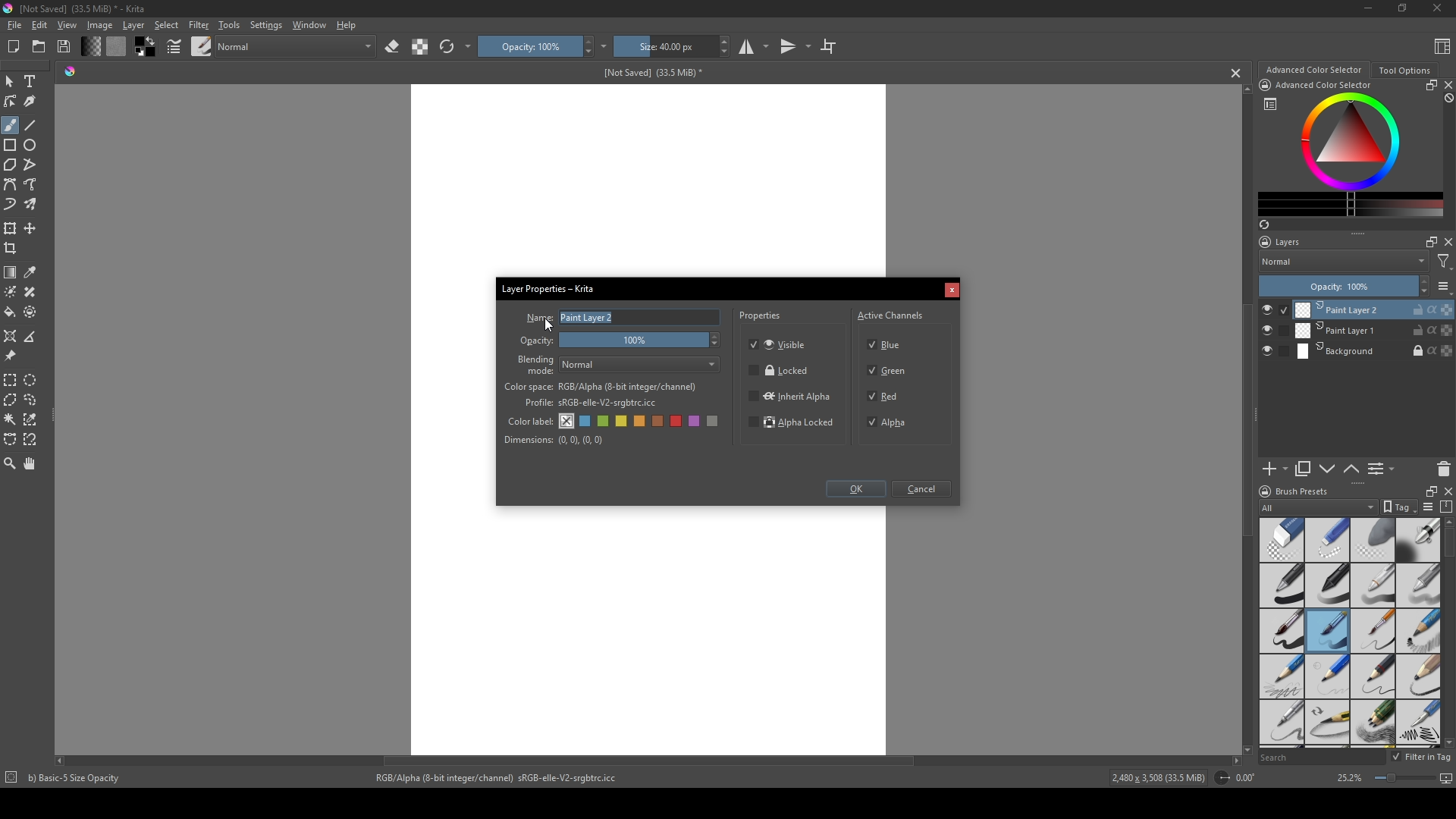  Describe the element at coordinates (1324, 86) in the screenshot. I see `Advanced Color Selector` at that location.